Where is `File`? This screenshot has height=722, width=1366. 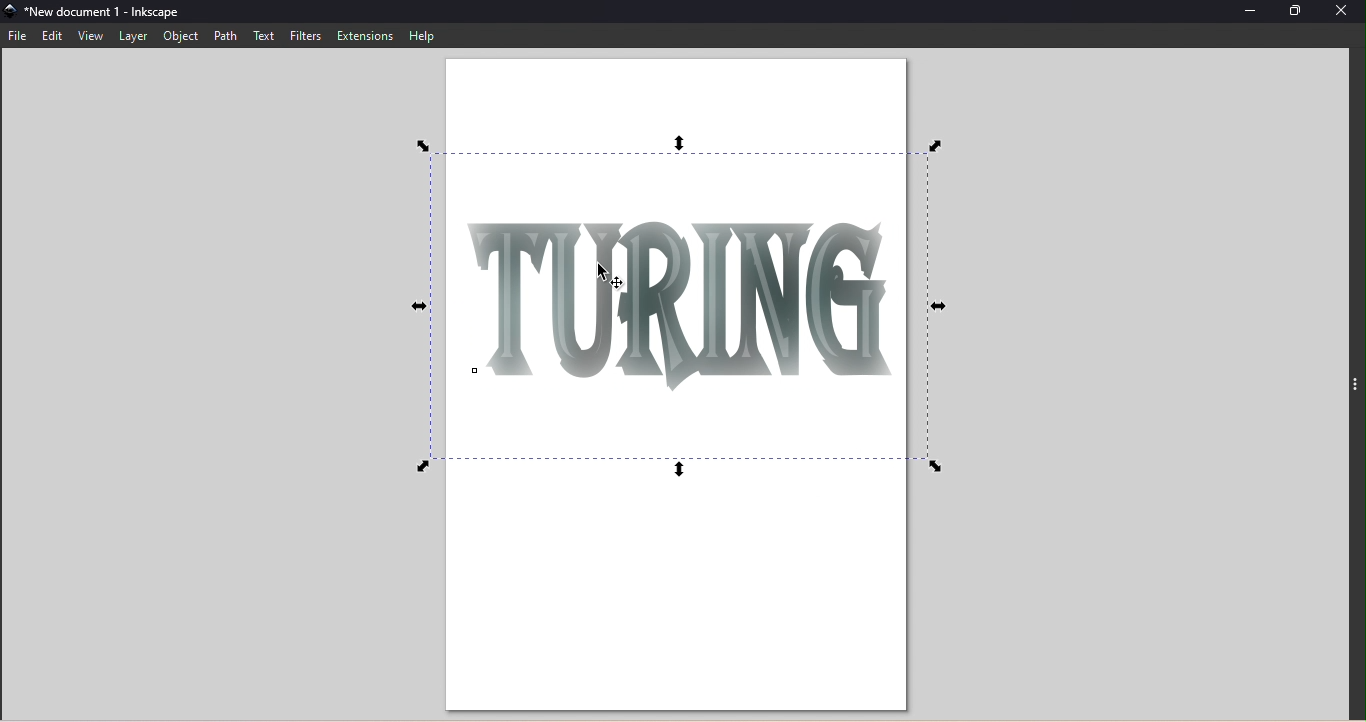 File is located at coordinates (19, 37).